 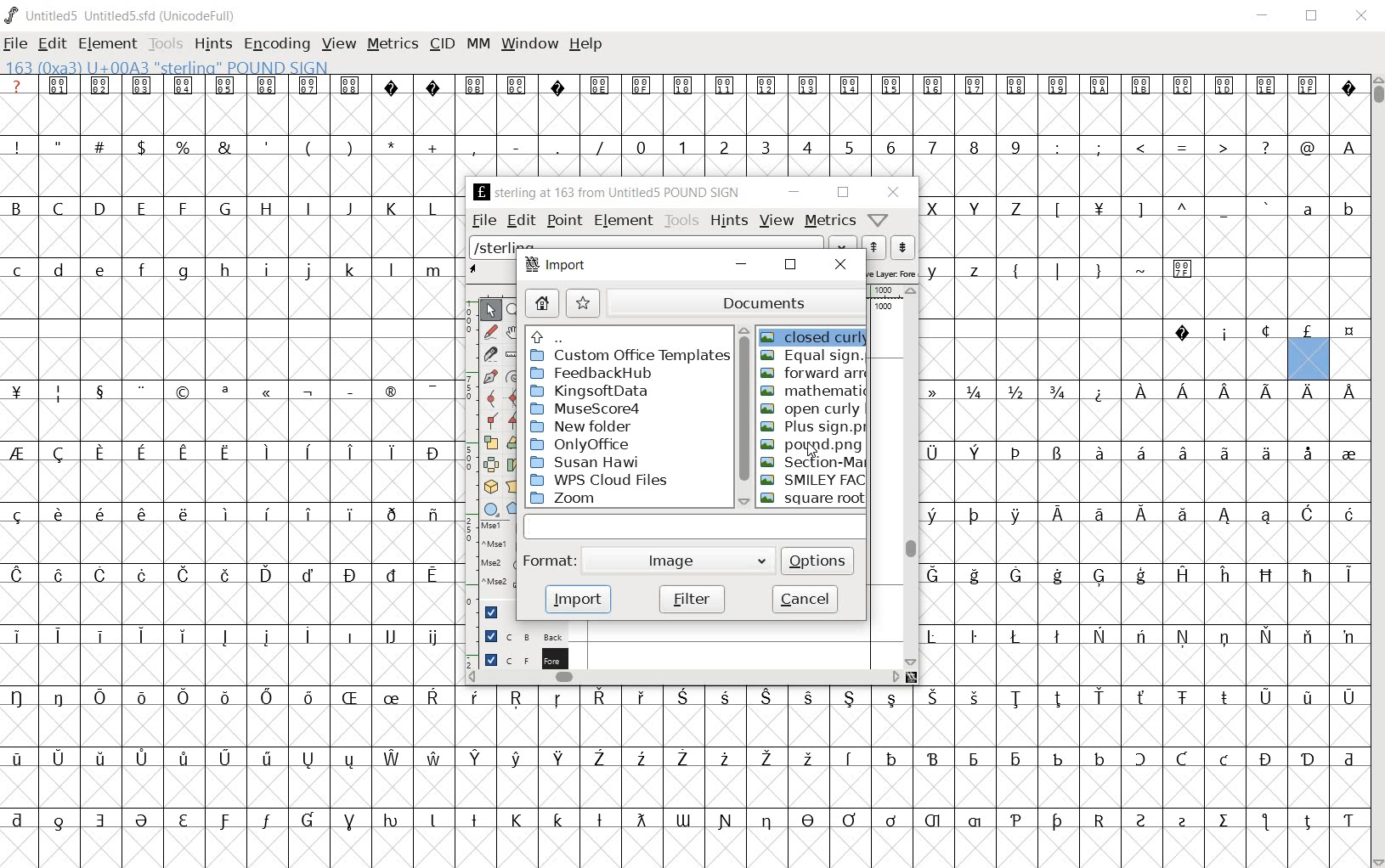 I want to click on Symbol, so click(x=599, y=821).